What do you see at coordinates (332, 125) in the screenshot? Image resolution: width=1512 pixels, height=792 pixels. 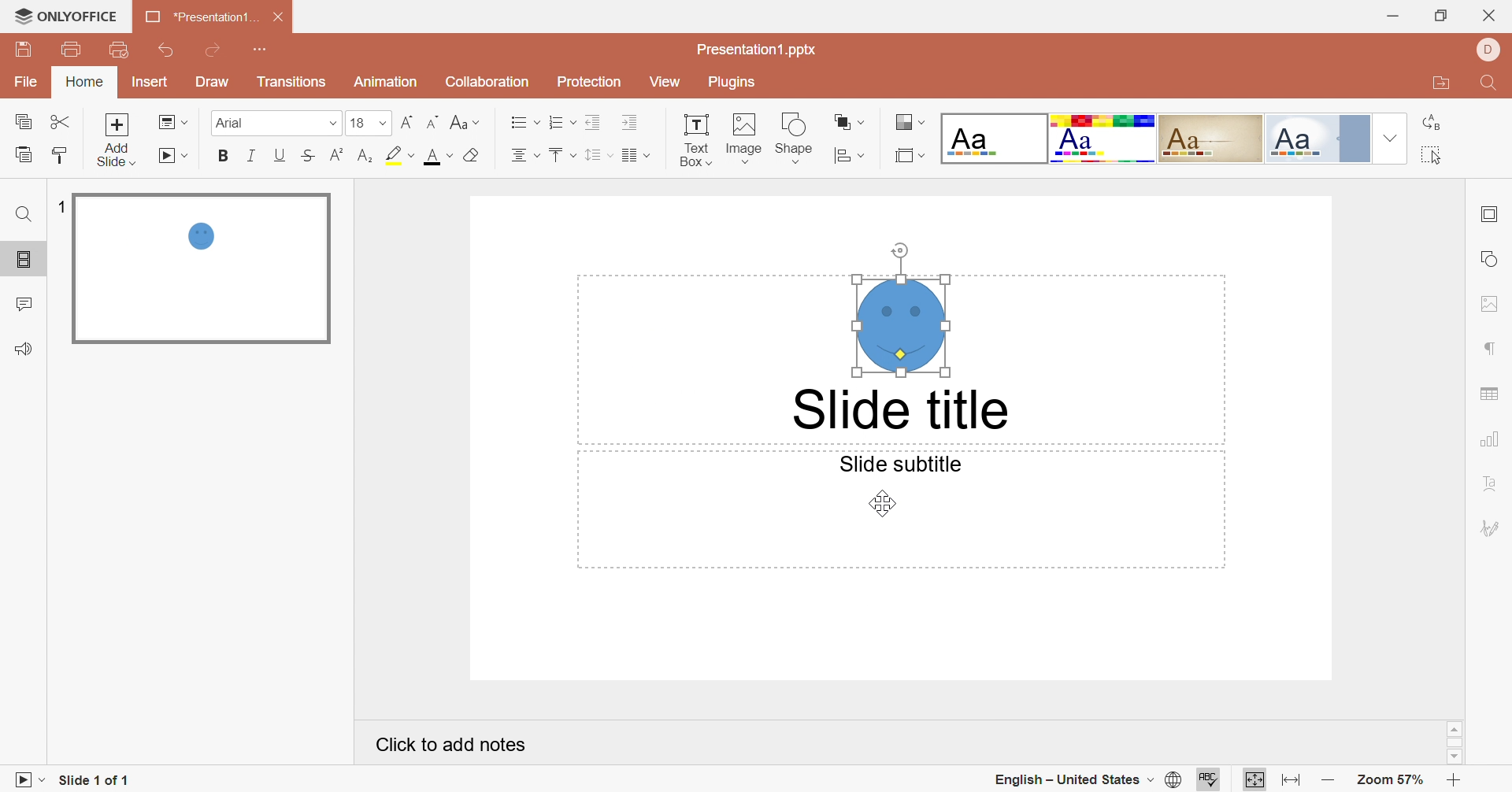 I see `Drop Down` at bounding box center [332, 125].